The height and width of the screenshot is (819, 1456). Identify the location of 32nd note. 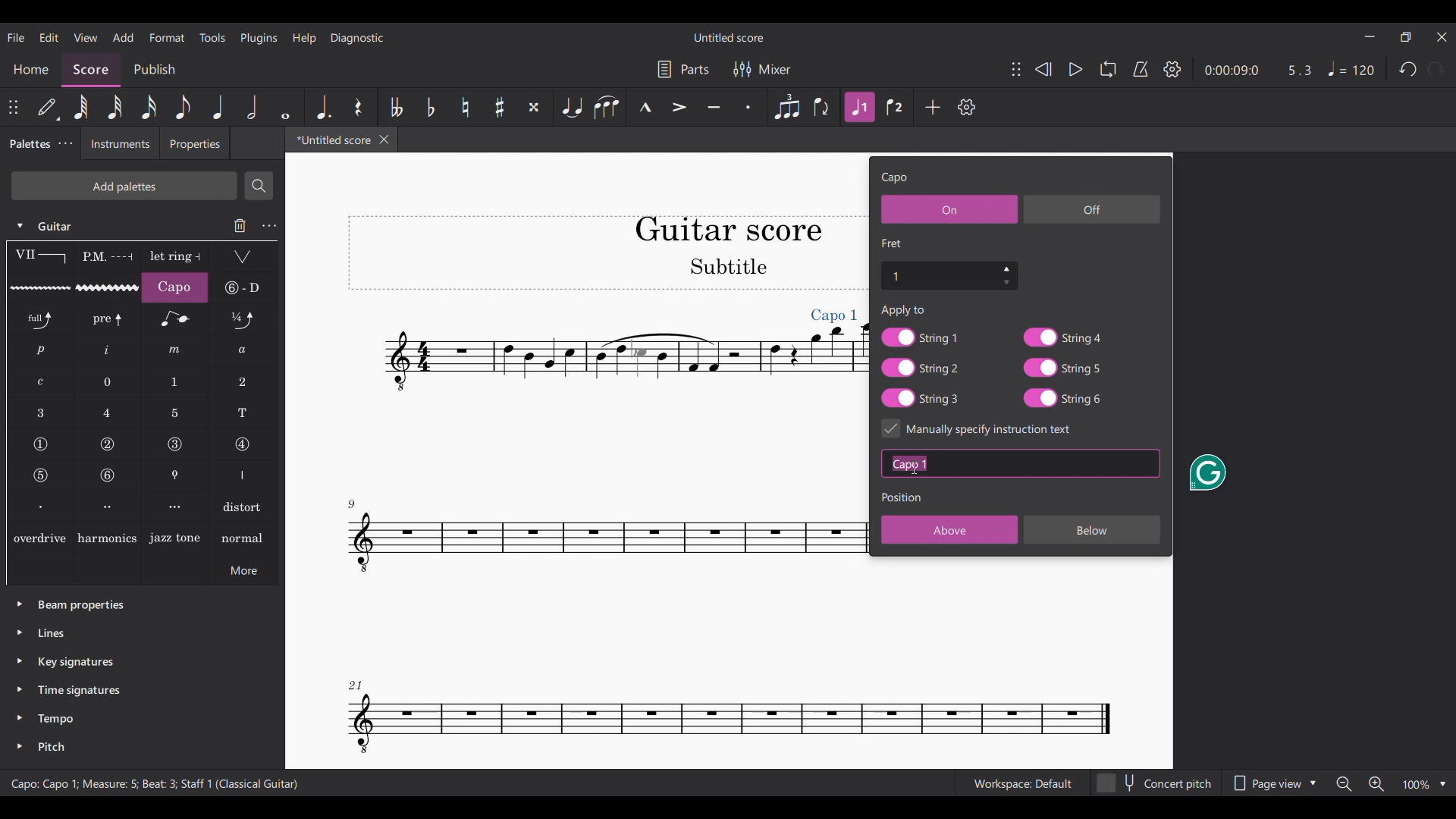
(115, 107).